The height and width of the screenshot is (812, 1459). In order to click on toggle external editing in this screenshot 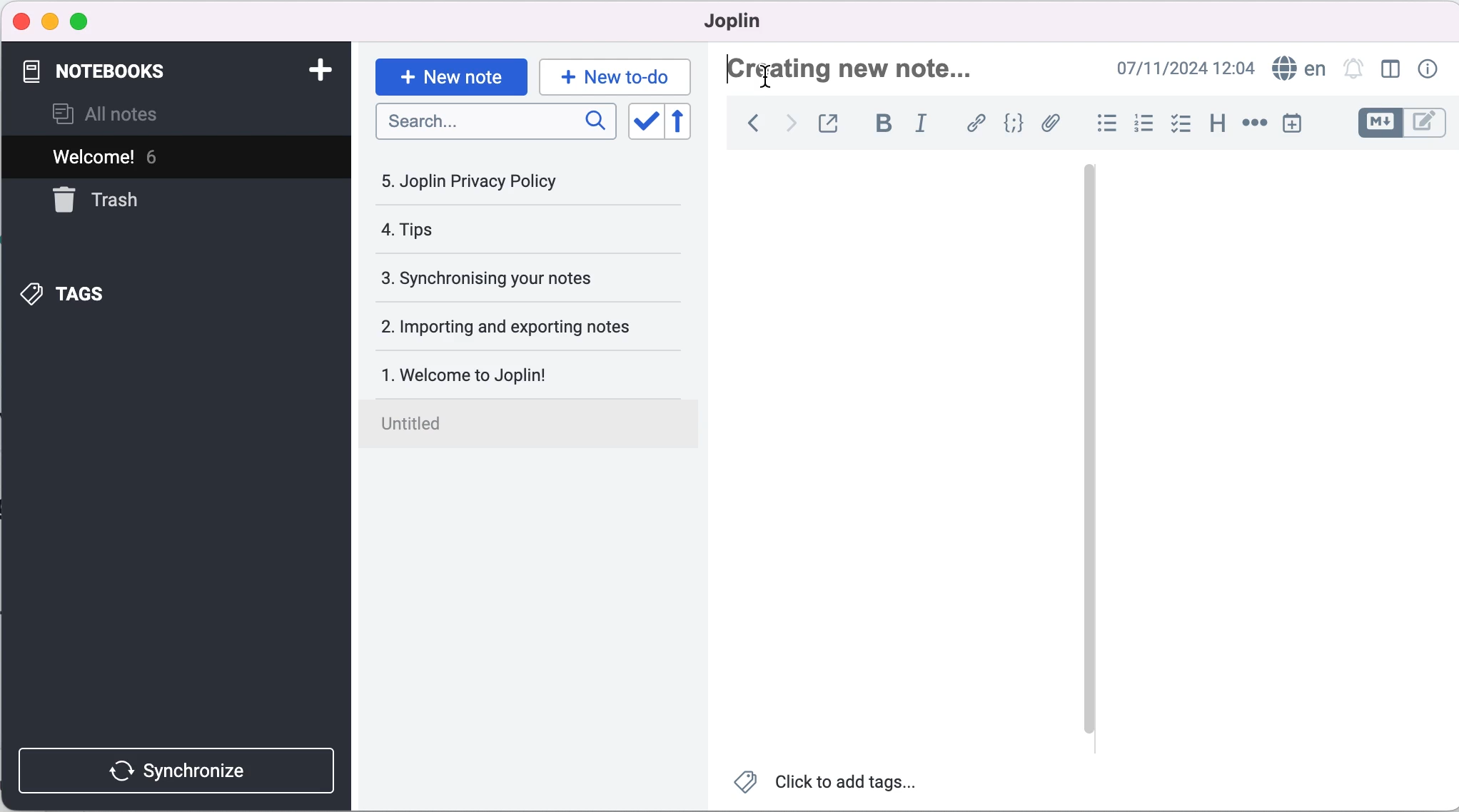, I will do `click(835, 122)`.